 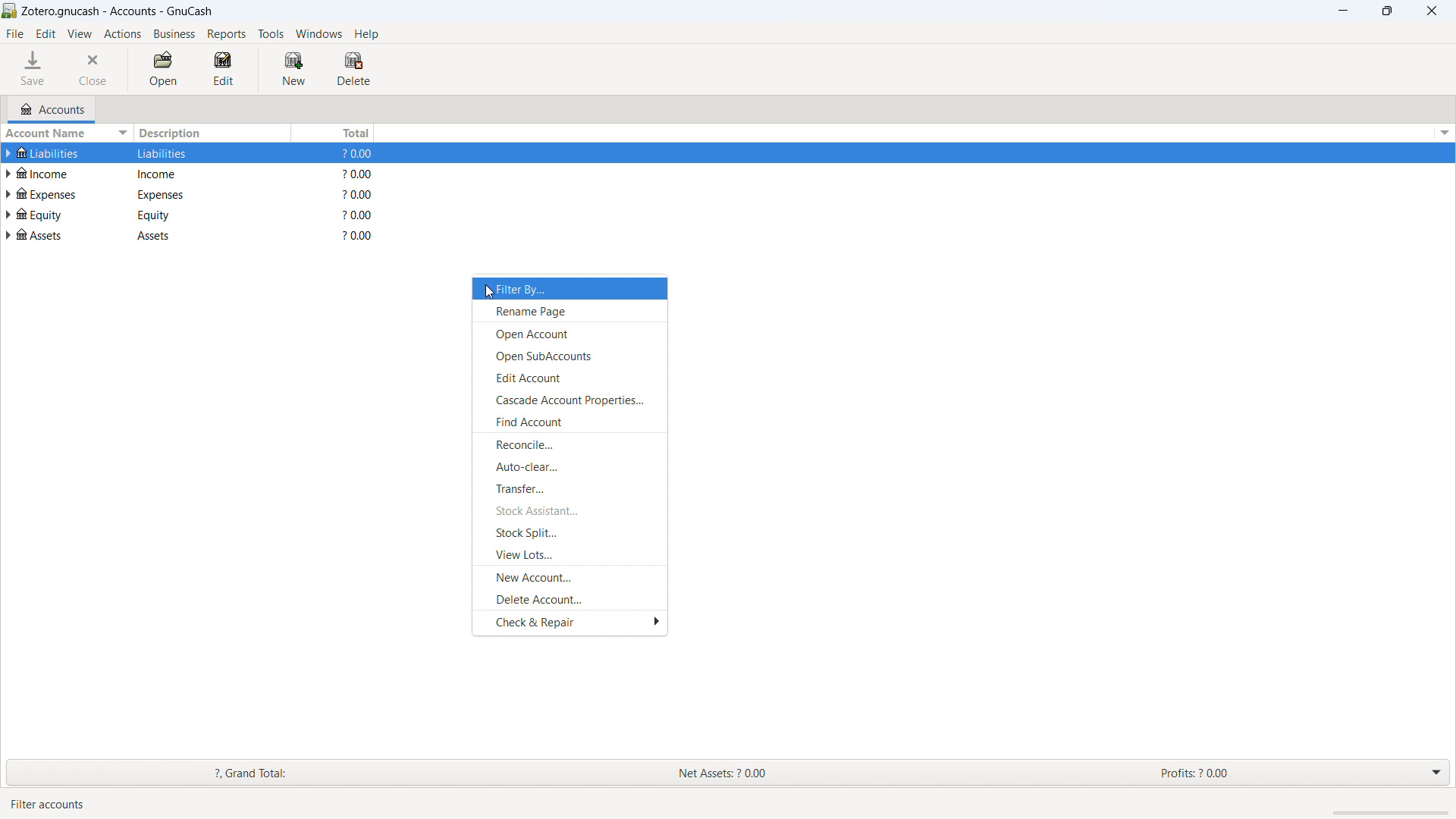 What do you see at coordinates (569, 532) in the screenshot?
I see `stock split` at bounding box center [569, 532].